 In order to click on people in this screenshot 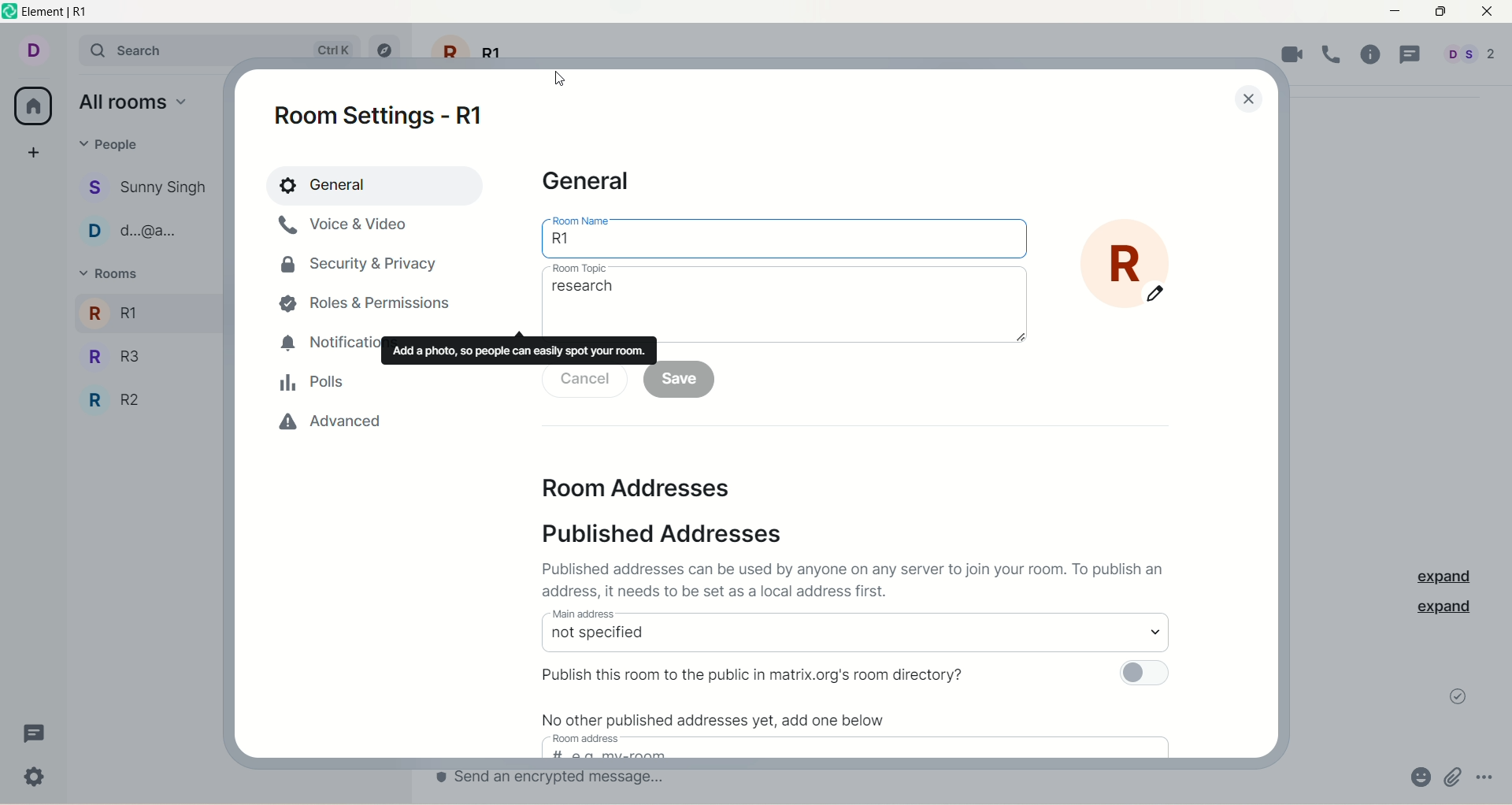, I will do `click(113, 147)`.